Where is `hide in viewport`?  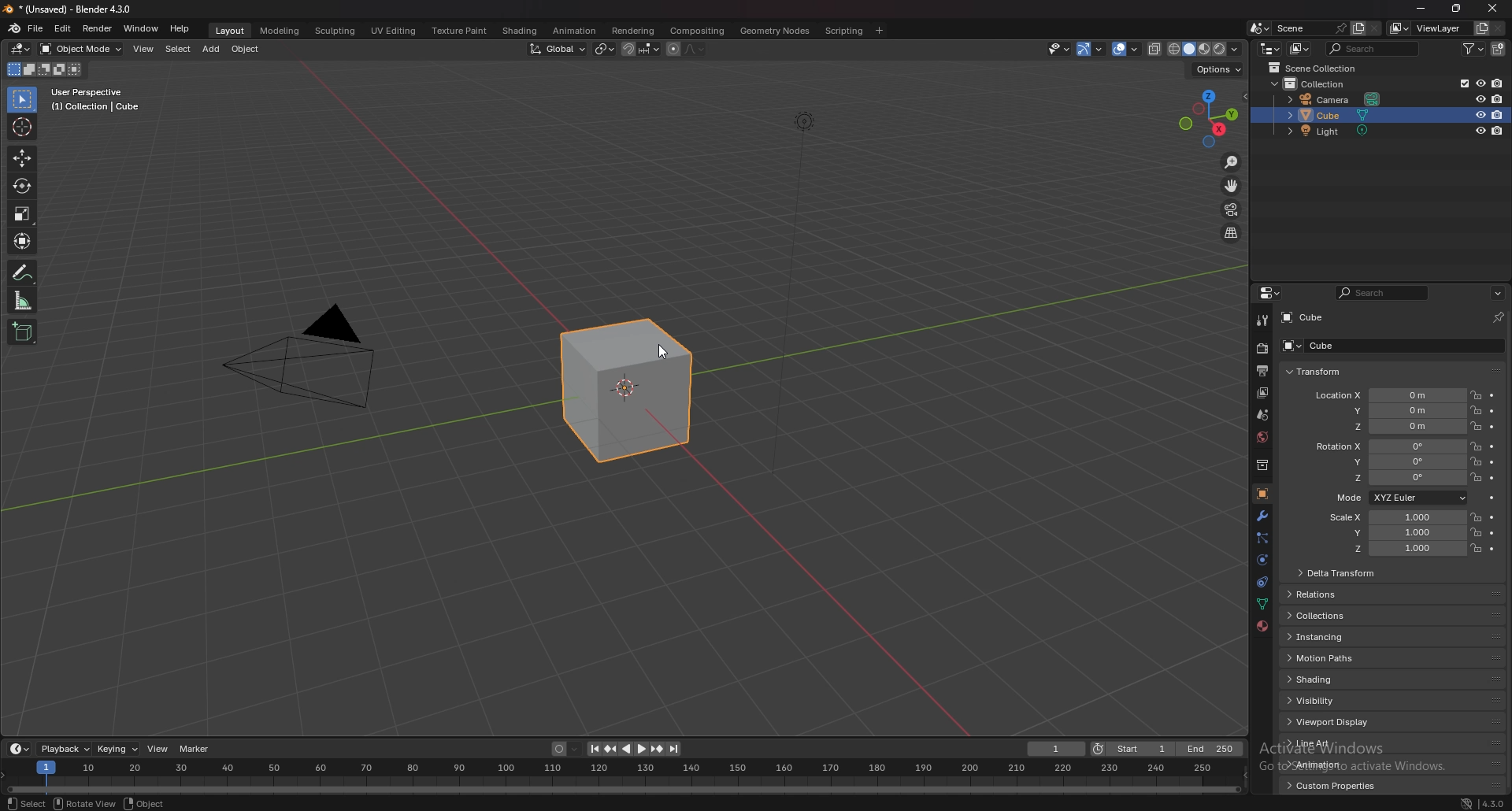 hide in viewport is located at coordinates (1478, 98).